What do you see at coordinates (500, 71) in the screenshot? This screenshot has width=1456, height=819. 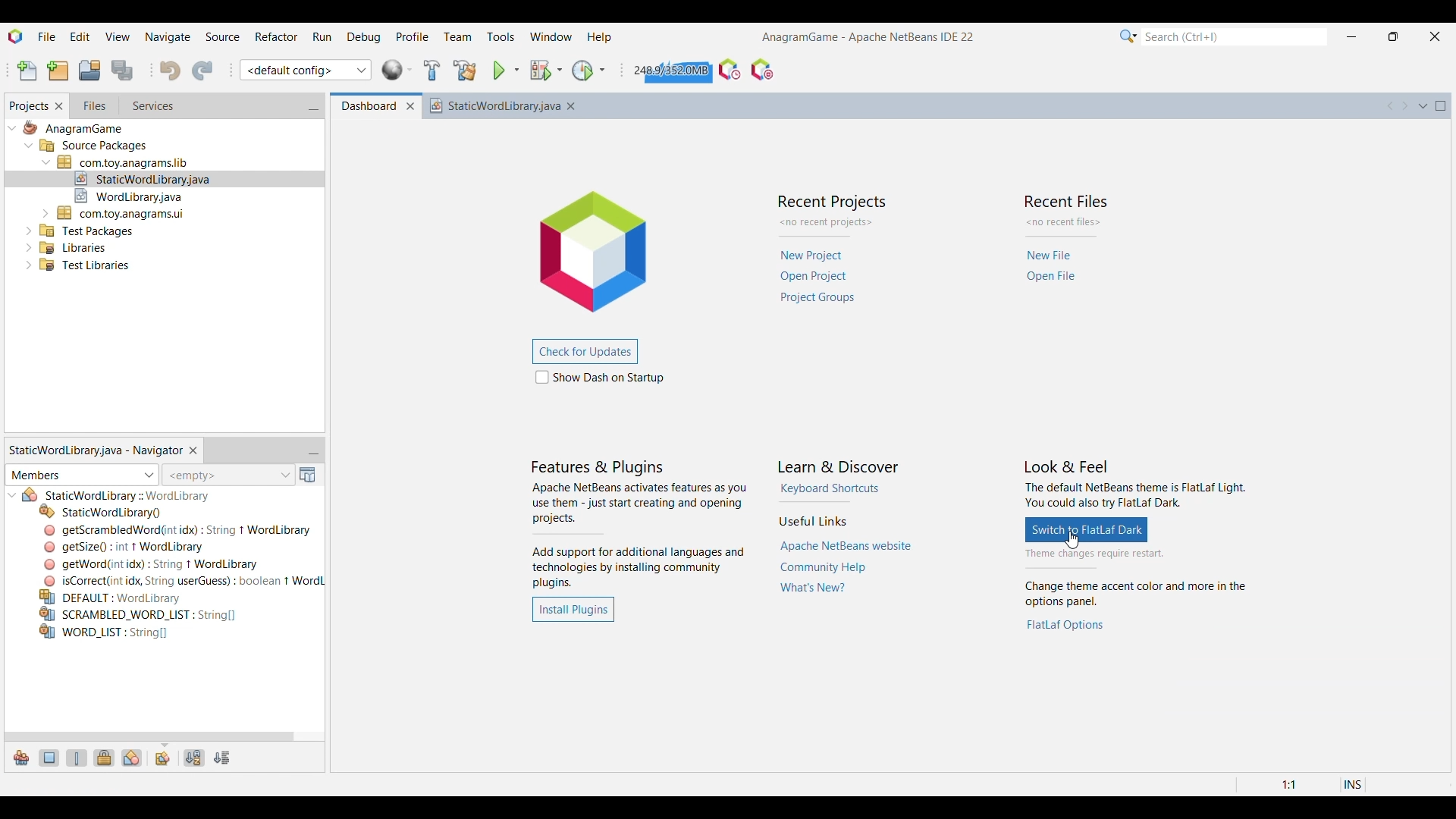 I see `Run project selection` at bounding box center [500, 71].